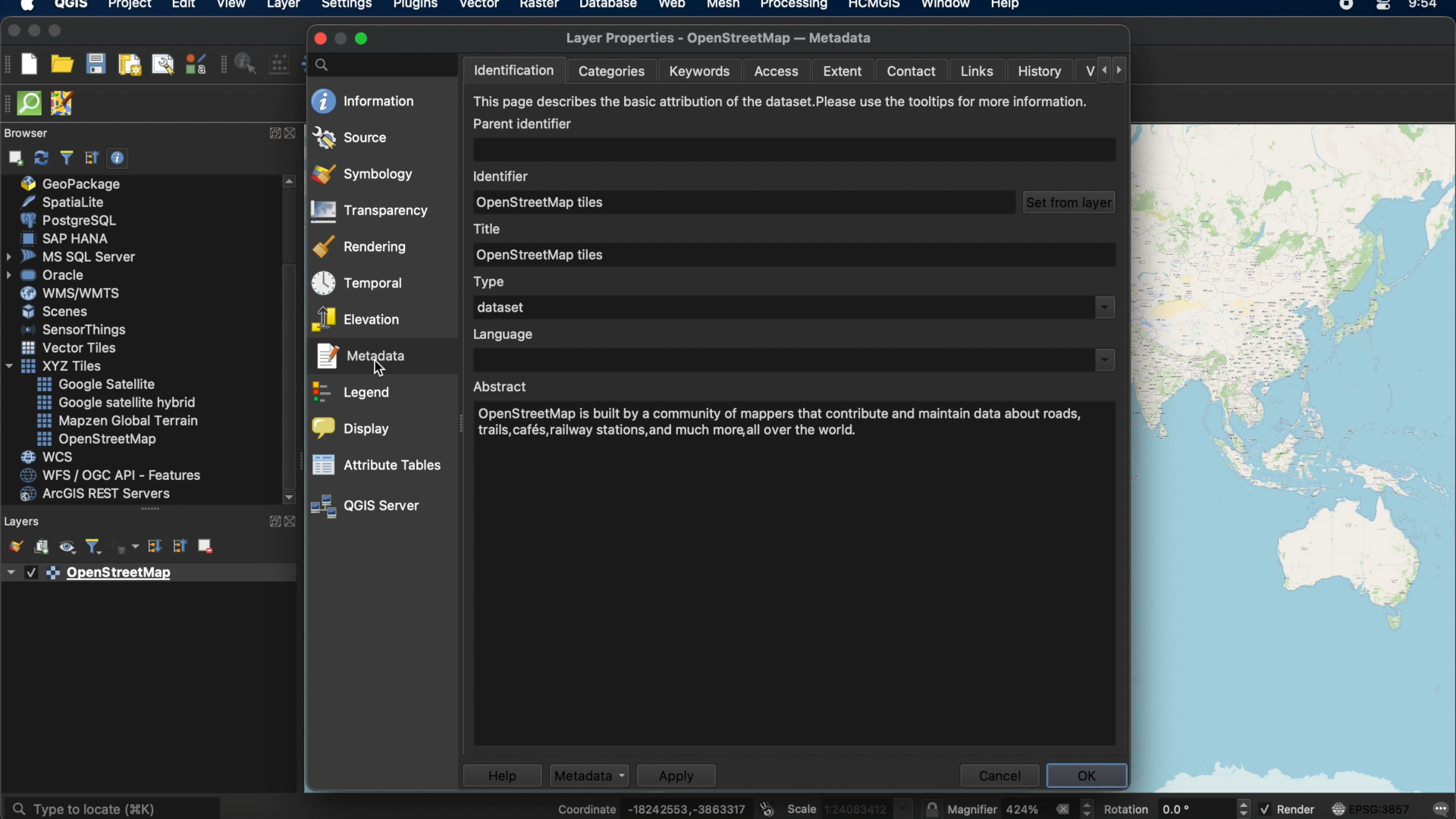  I want to click on magnifier, so click(1023, 808).